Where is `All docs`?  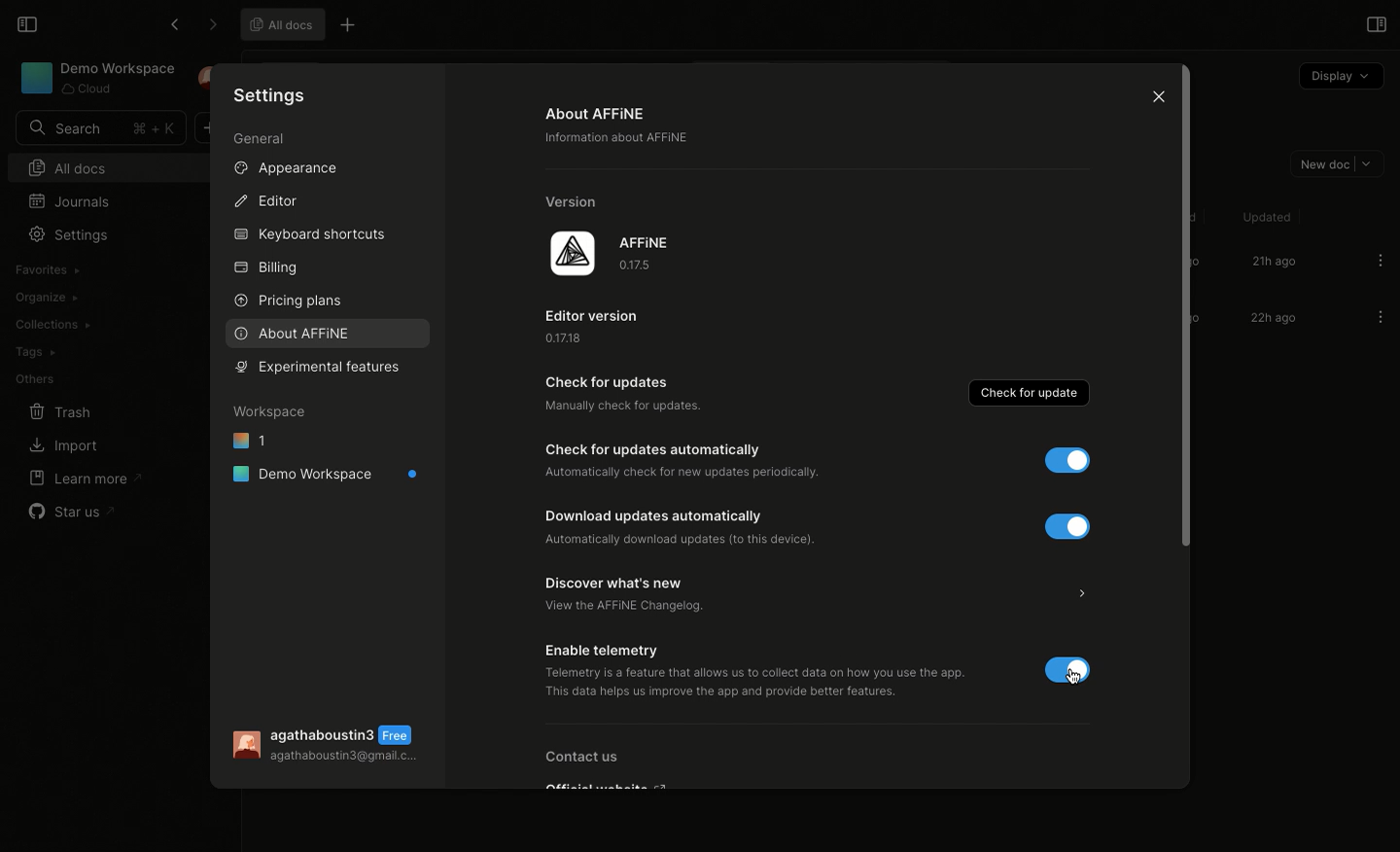
All docs is located at coordinates (94, 167).